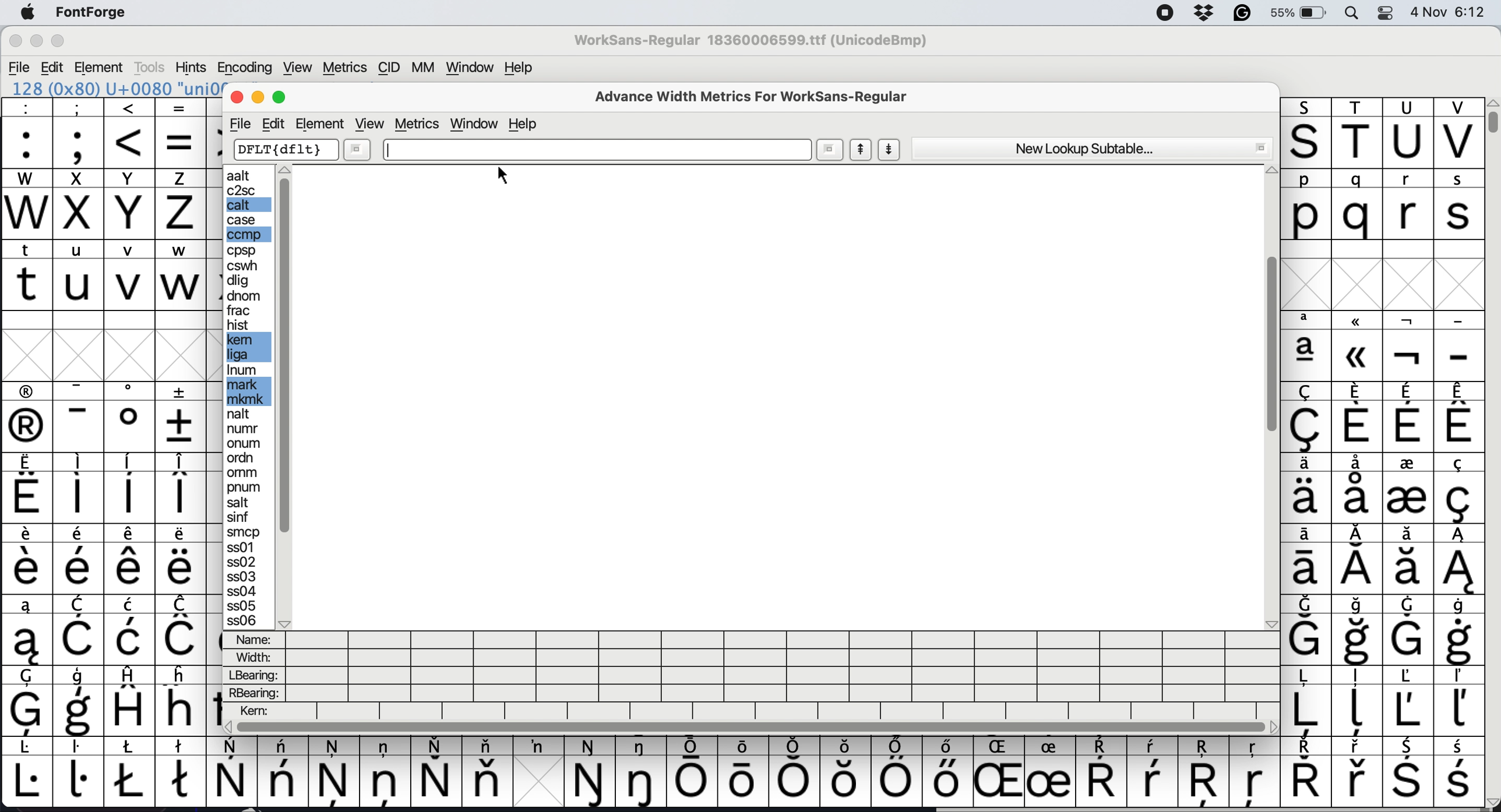 The height and width of the screenshot is (812, 1501). What do you see at coordinates (1388, 391) in the screenshot?
I see `special characters` at bounding box center [1388, 391].